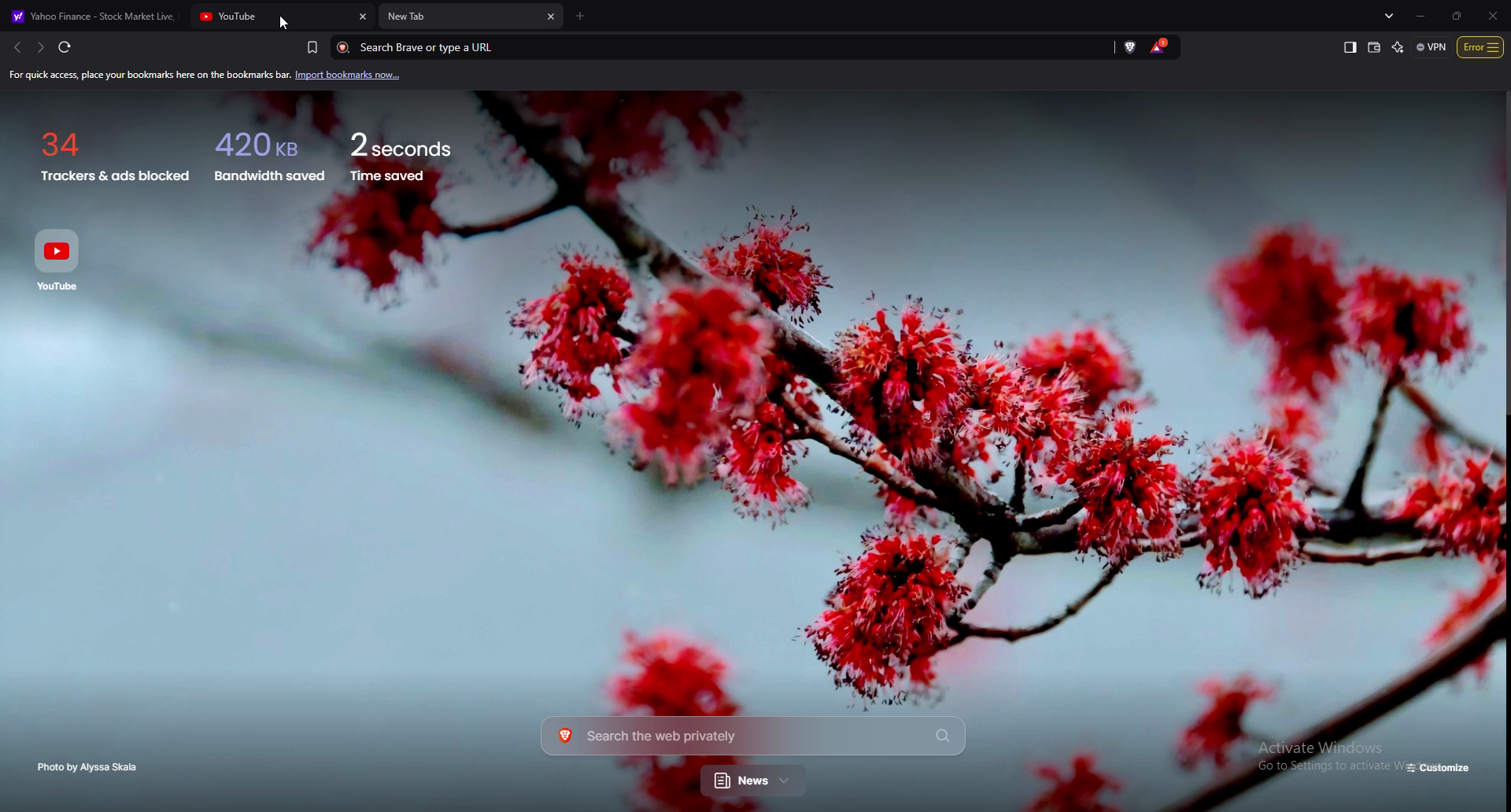  Describe the element at coordinates (39, 47) in the screenshot. I see `forward` at that location.